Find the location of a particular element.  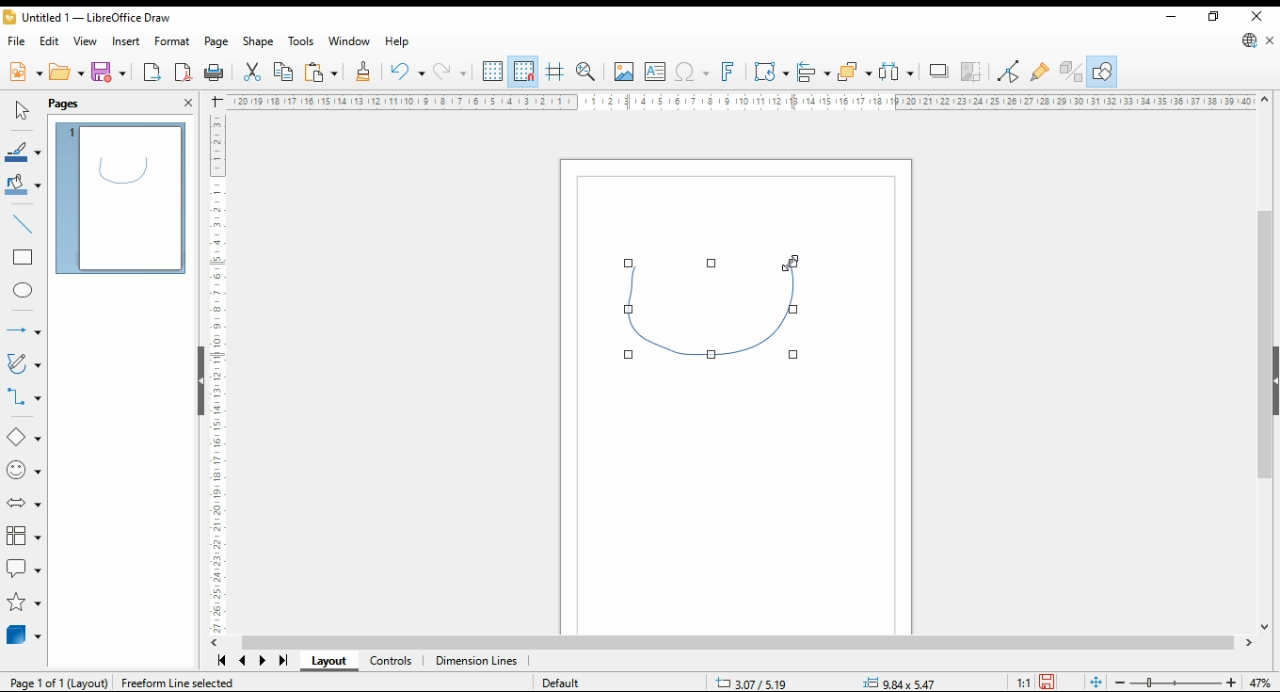

page is located at coordinates (217, 42).